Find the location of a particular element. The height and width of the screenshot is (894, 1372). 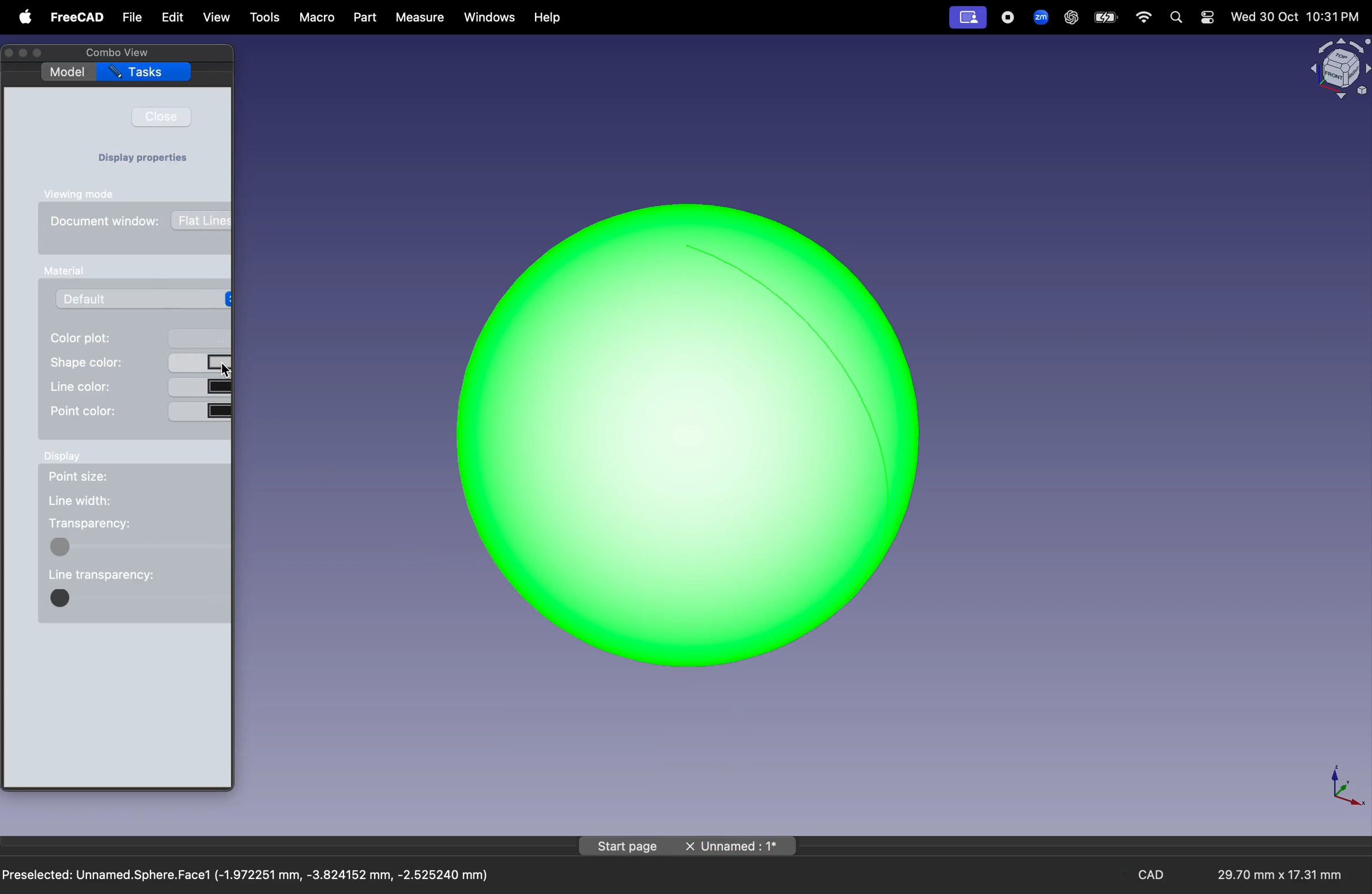

line width is located at coordinates (87, 499).